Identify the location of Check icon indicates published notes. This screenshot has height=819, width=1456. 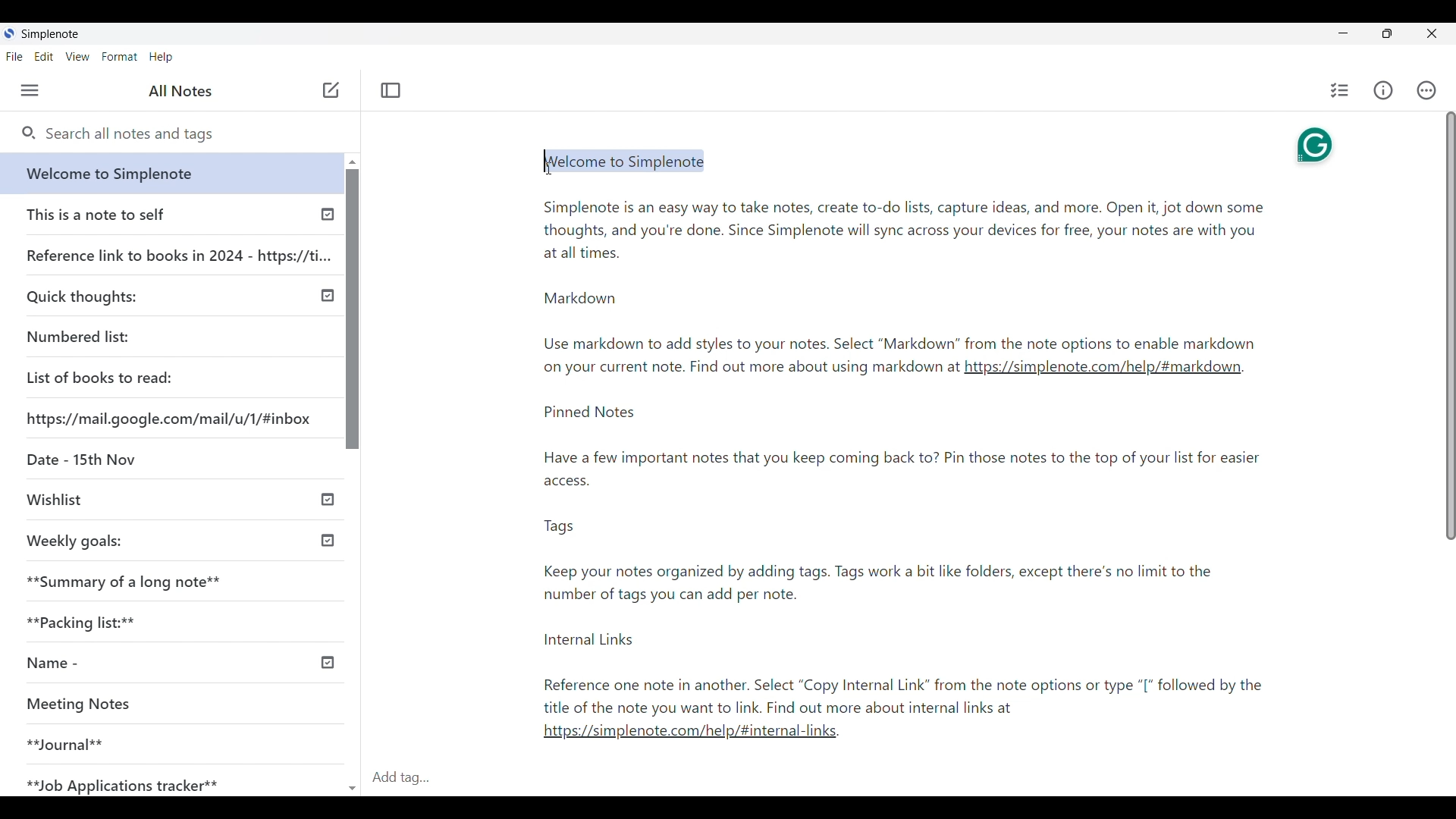
(328, 218).